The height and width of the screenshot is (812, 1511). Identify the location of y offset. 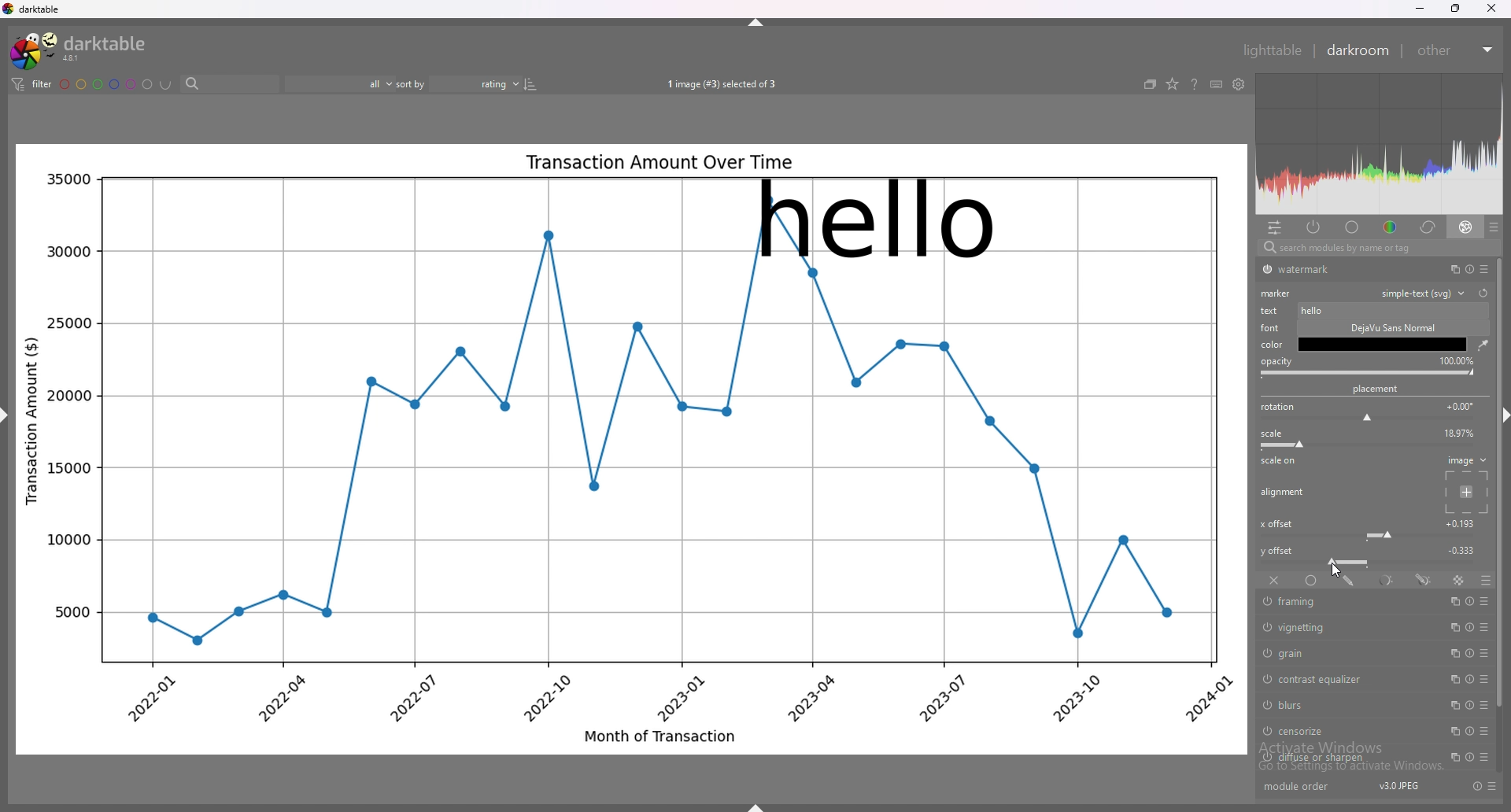
(1467, 548).